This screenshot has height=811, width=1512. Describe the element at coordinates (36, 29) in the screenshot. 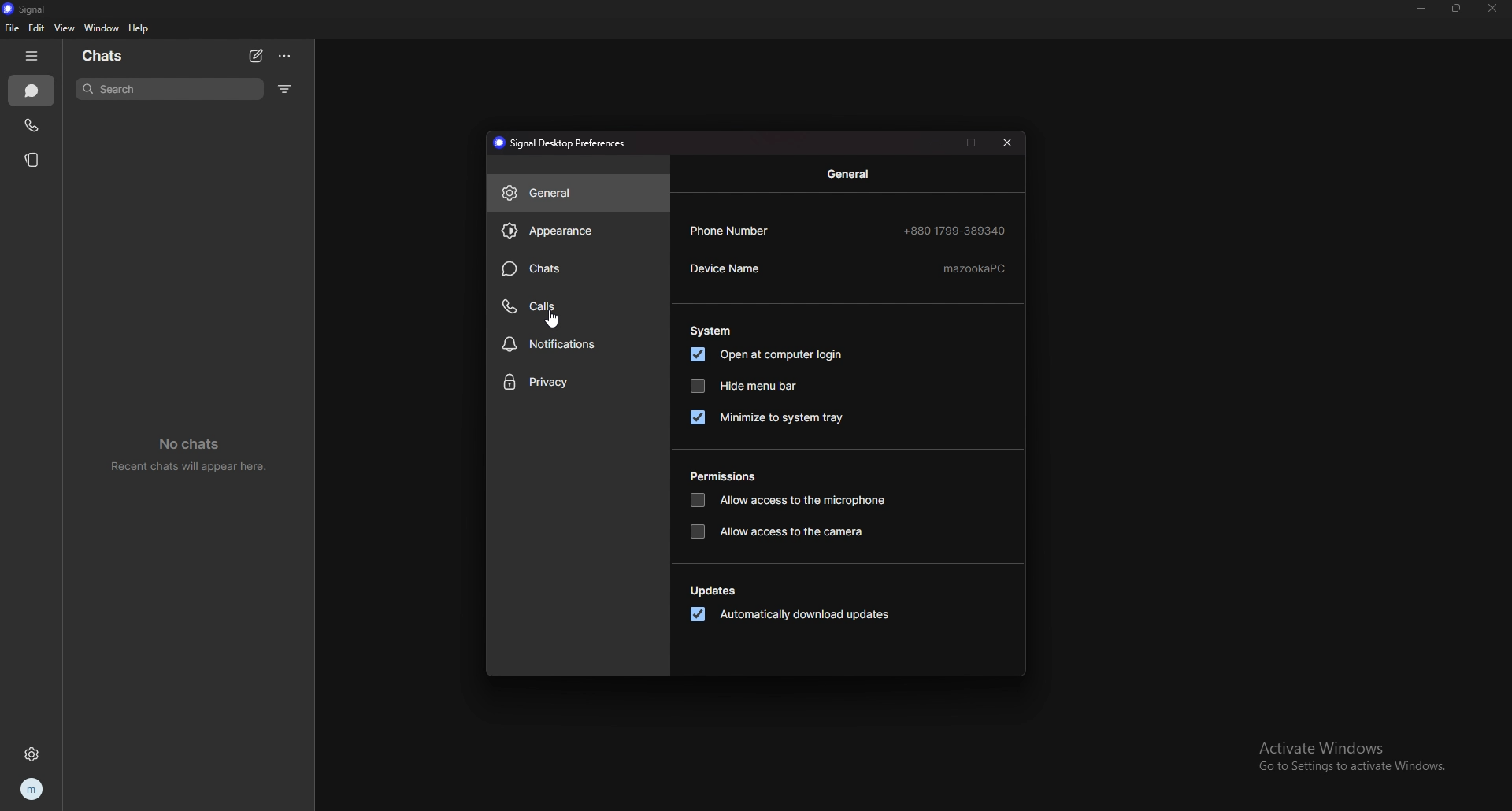

I see `edit` at that location.